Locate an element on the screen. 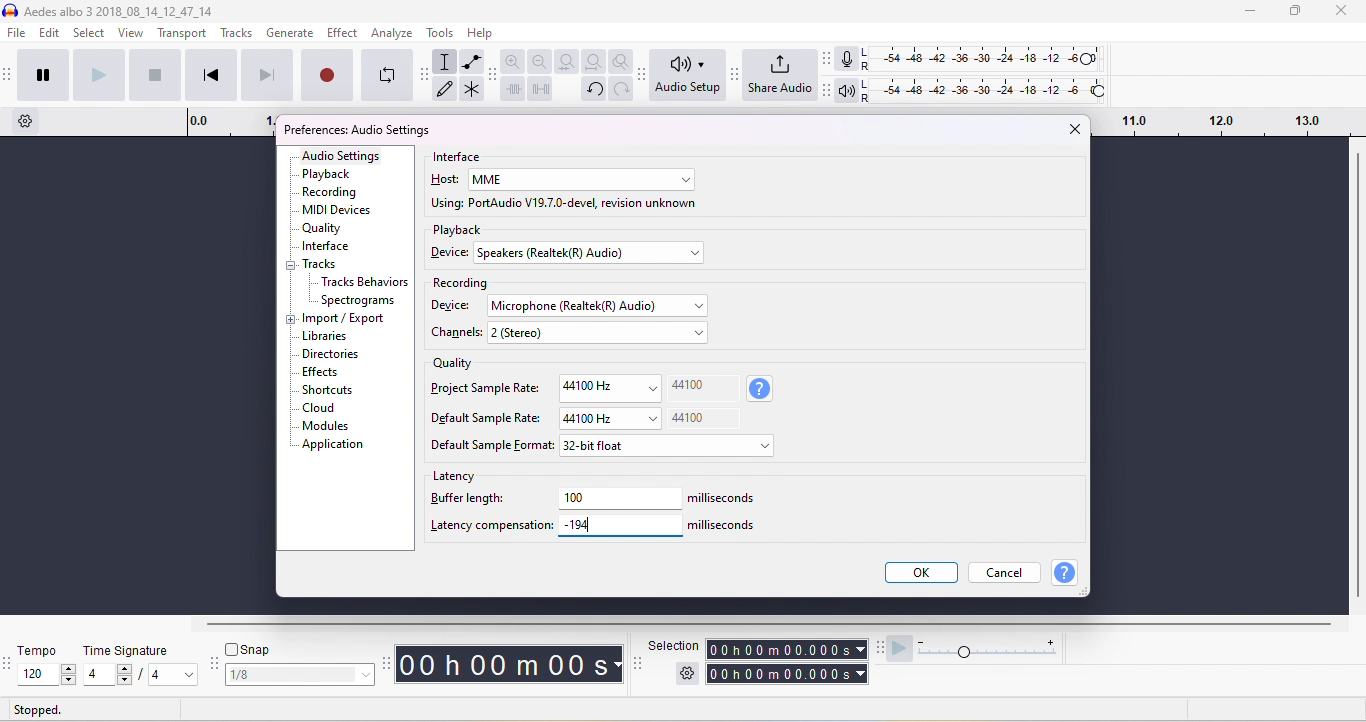 This screenshot has width=1366, height=722. draw tool  is located at coordinates (445, 87).